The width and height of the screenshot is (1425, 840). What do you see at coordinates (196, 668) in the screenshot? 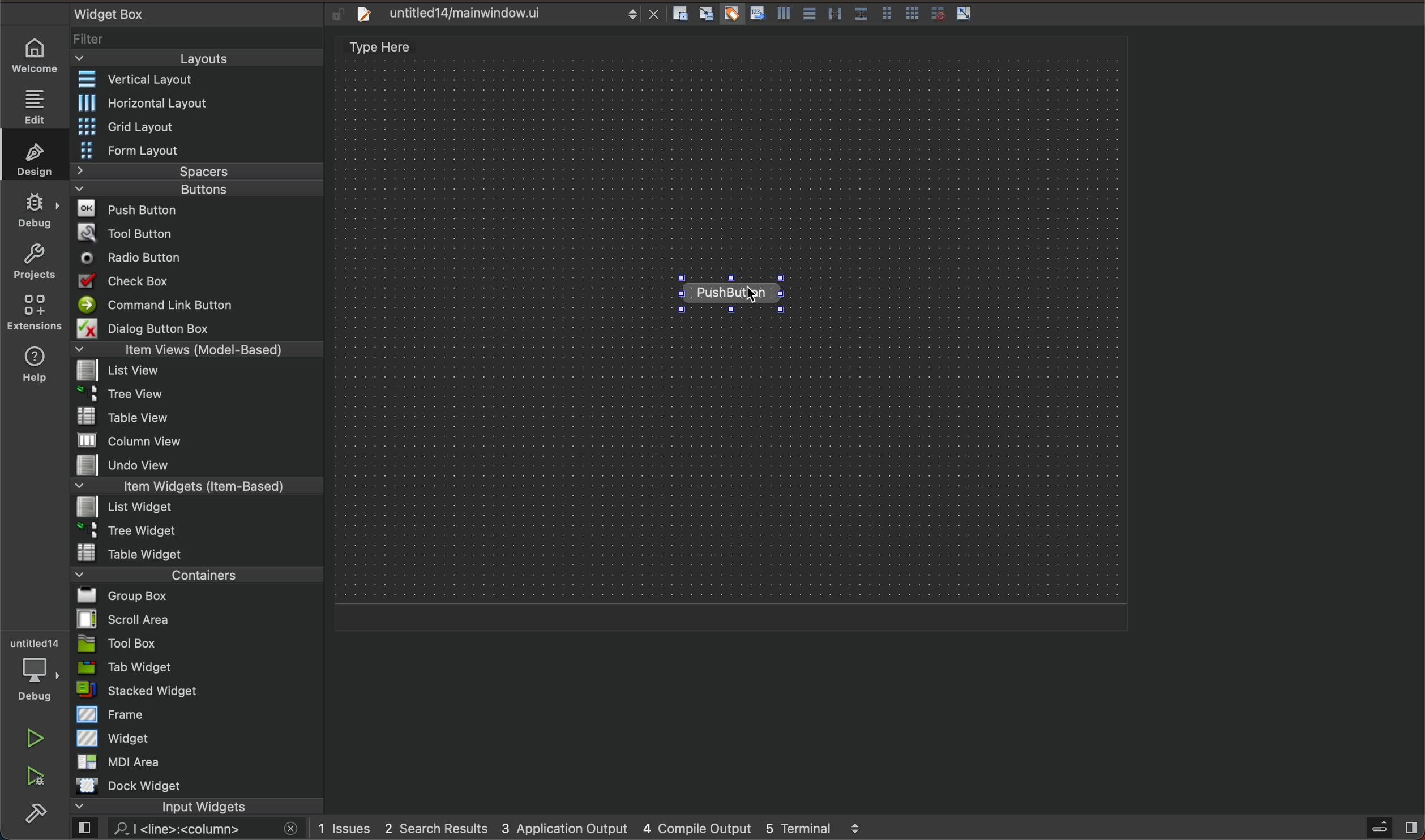
I see `tab widget` at bounding box center [196, 668].